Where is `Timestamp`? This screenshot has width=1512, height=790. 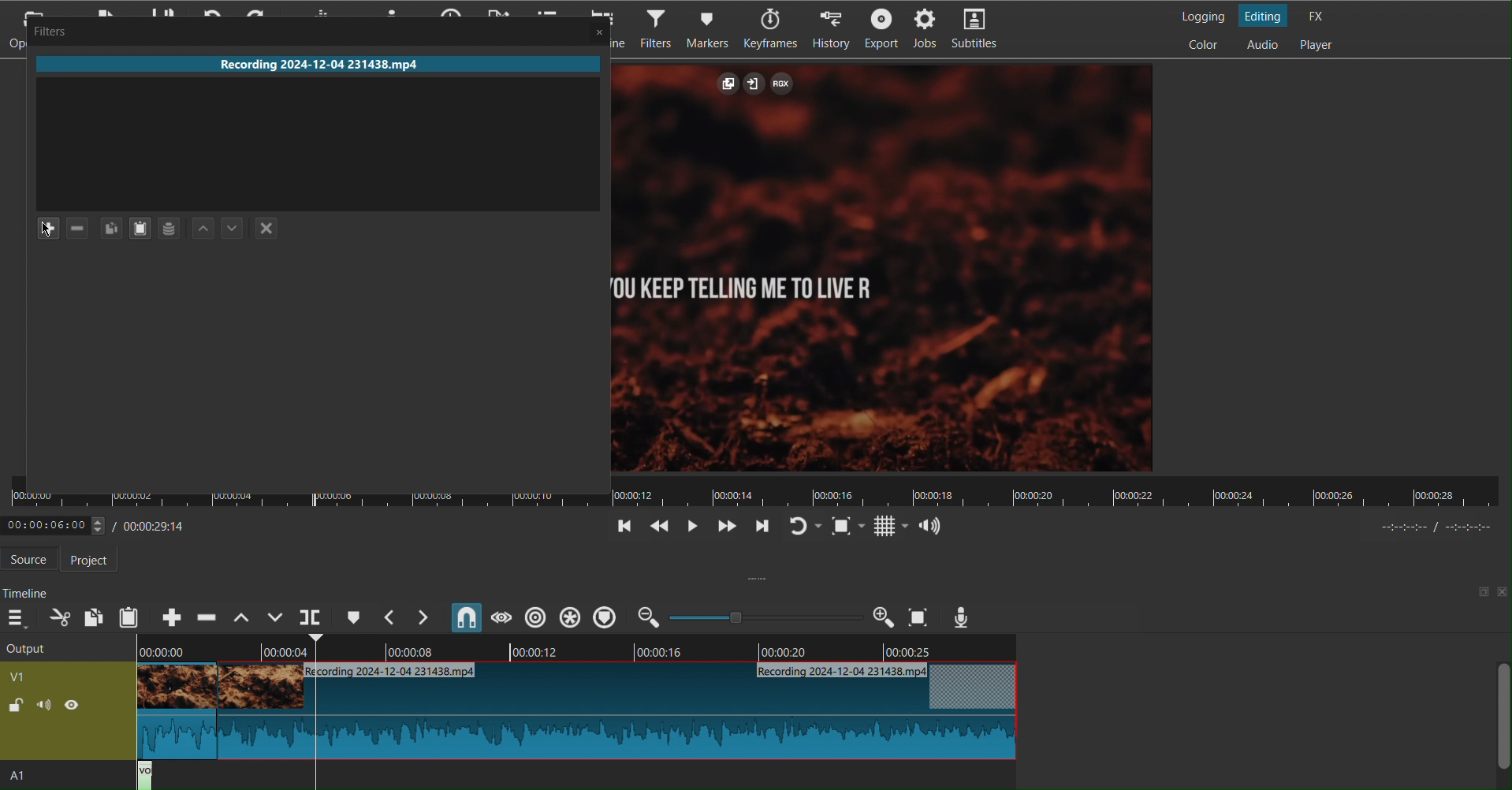
Timestamp is located at coordinates (103, 524).